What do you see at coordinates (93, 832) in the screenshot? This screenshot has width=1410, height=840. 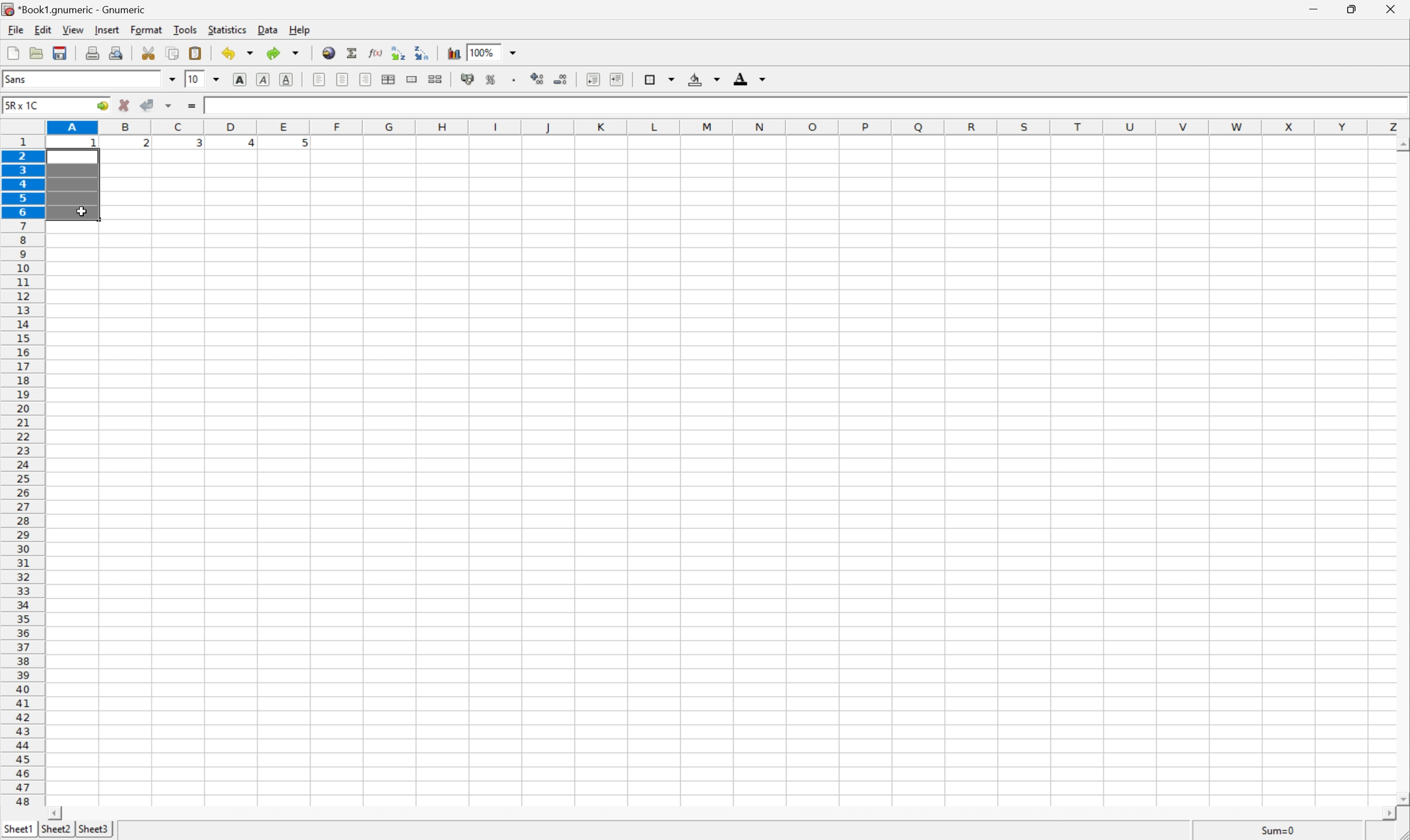 I see `sheet3` at bounding box center [93, 832].